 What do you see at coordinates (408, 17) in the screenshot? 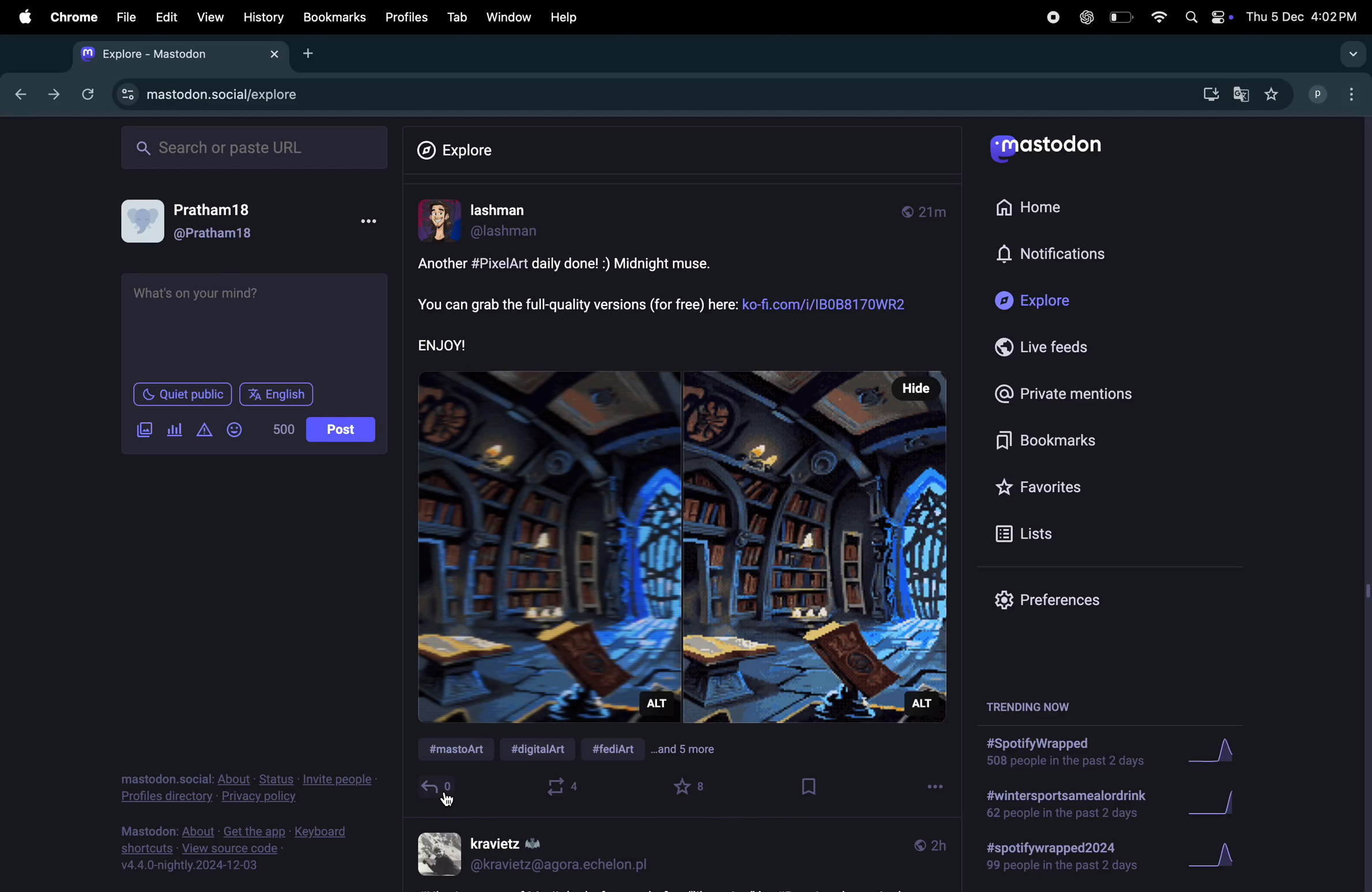
I see `Profiles` at bounding box center [408, 17].